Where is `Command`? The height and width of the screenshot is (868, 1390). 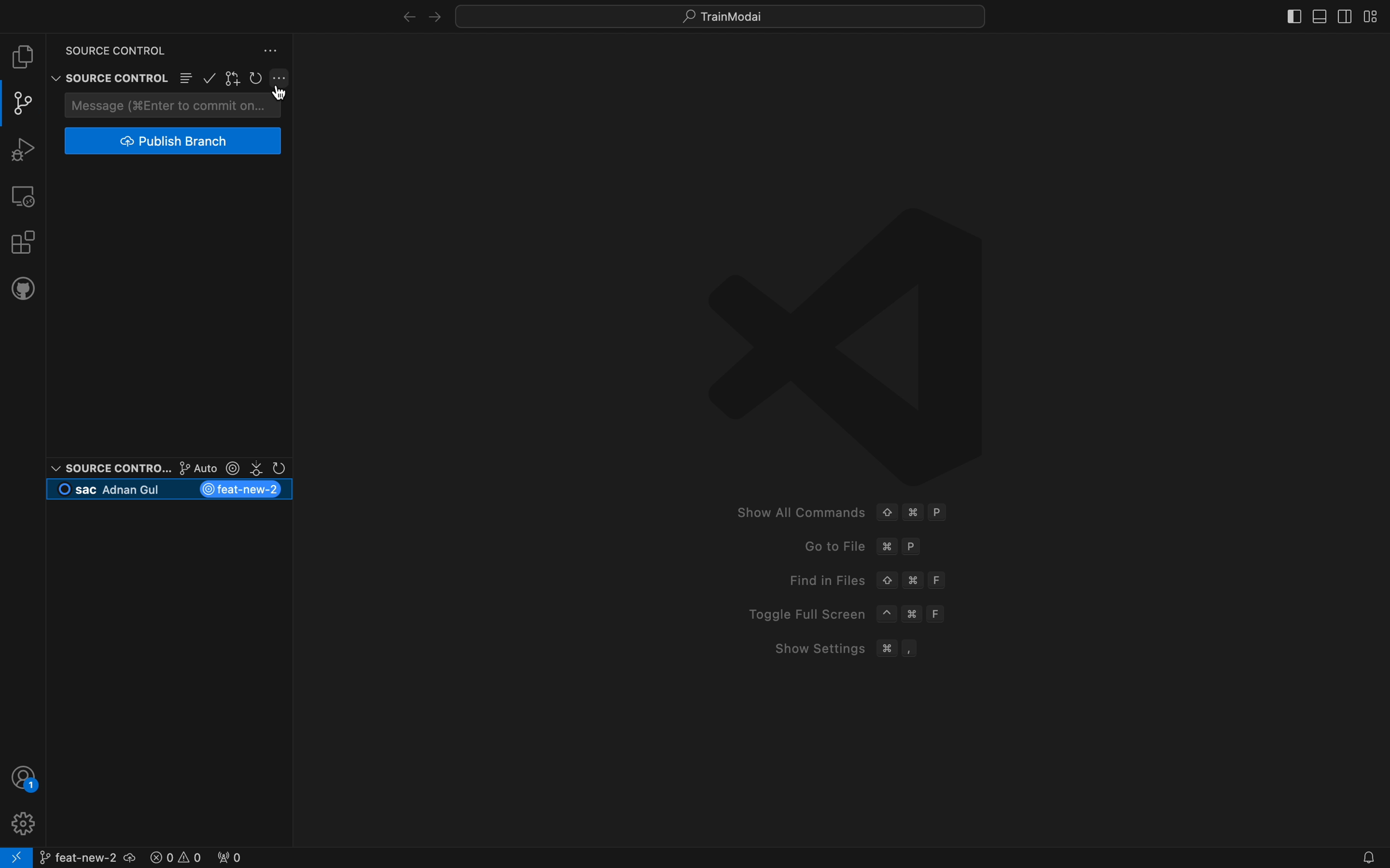
Command is located at coordinates (886, 648).